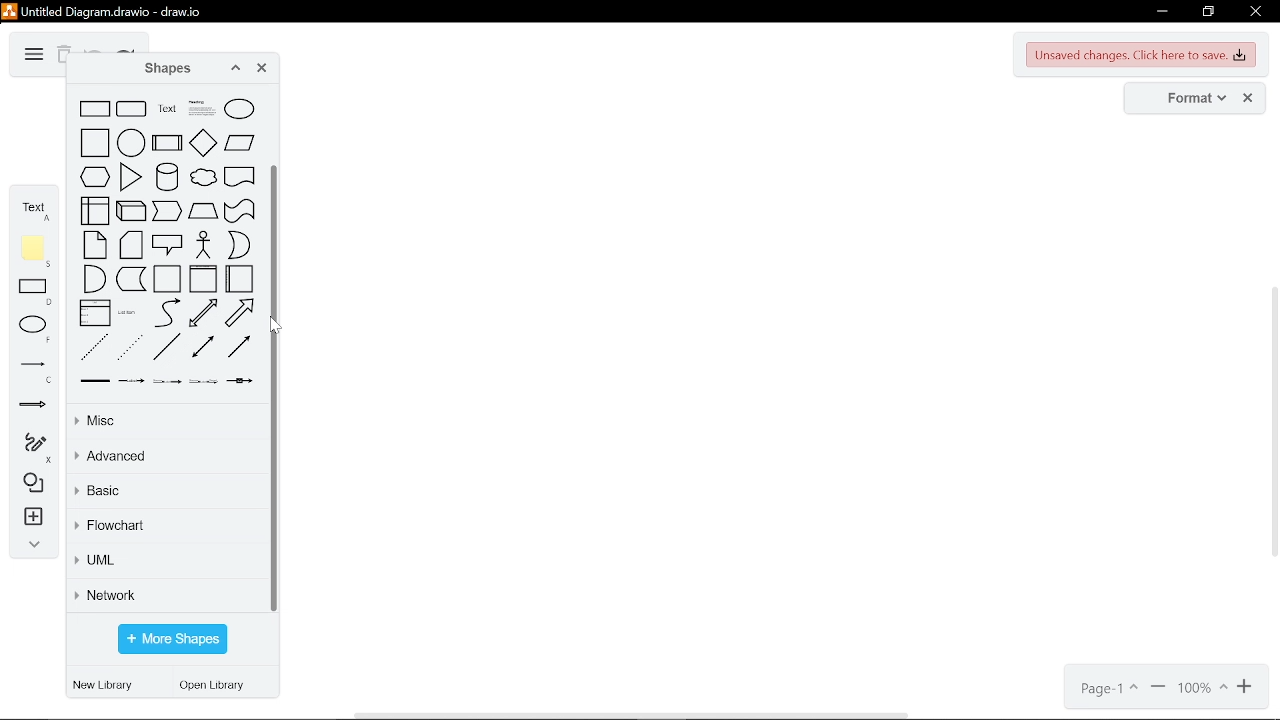 The image size is (1280, 720). Describe the element at coordinates (33, 371) in the screenshot. I see `lines` at that location.